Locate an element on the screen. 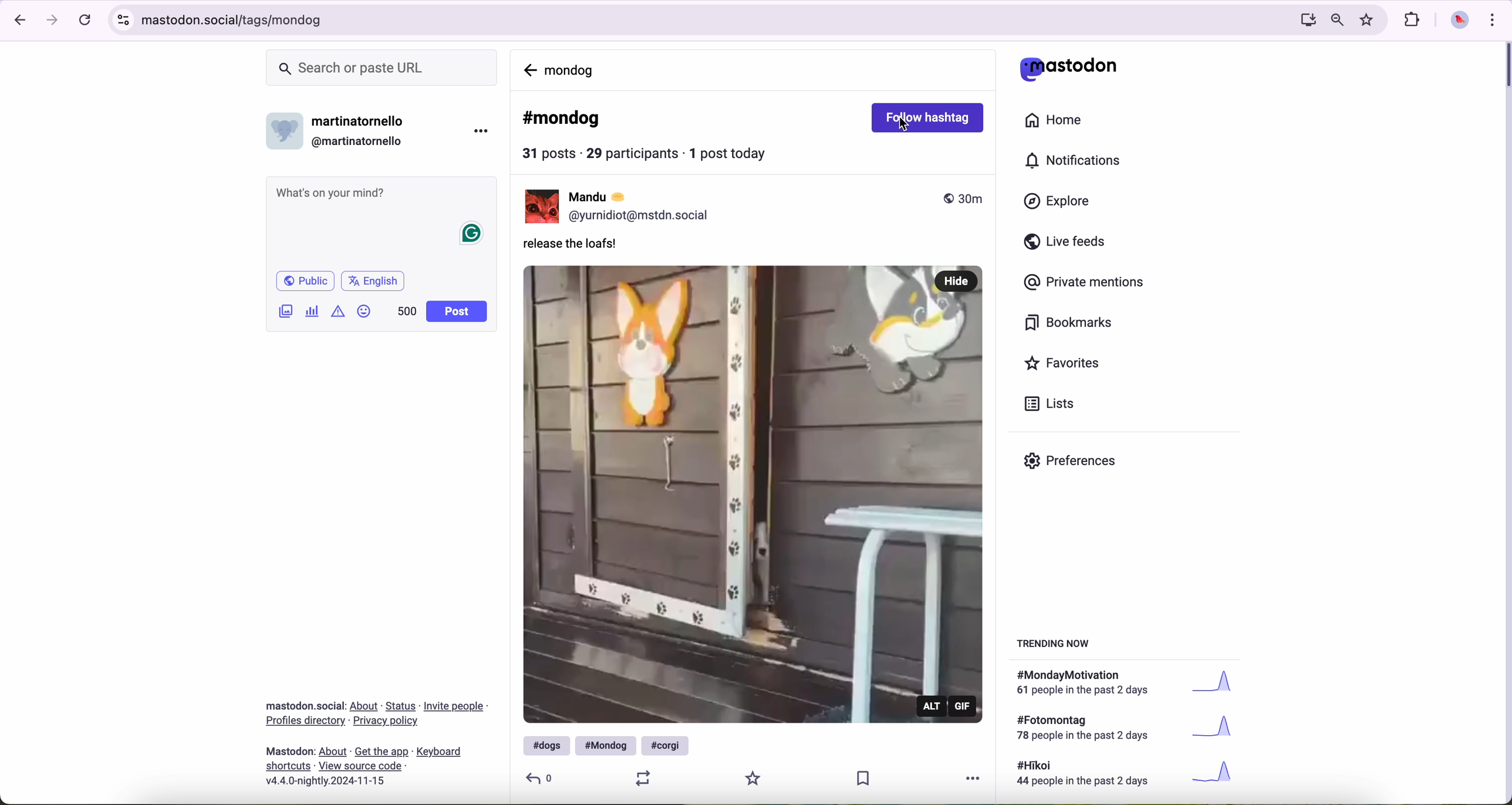 The width and height of the screenshot is (1512, 805). #dogs is located at coordinates (544, 745).